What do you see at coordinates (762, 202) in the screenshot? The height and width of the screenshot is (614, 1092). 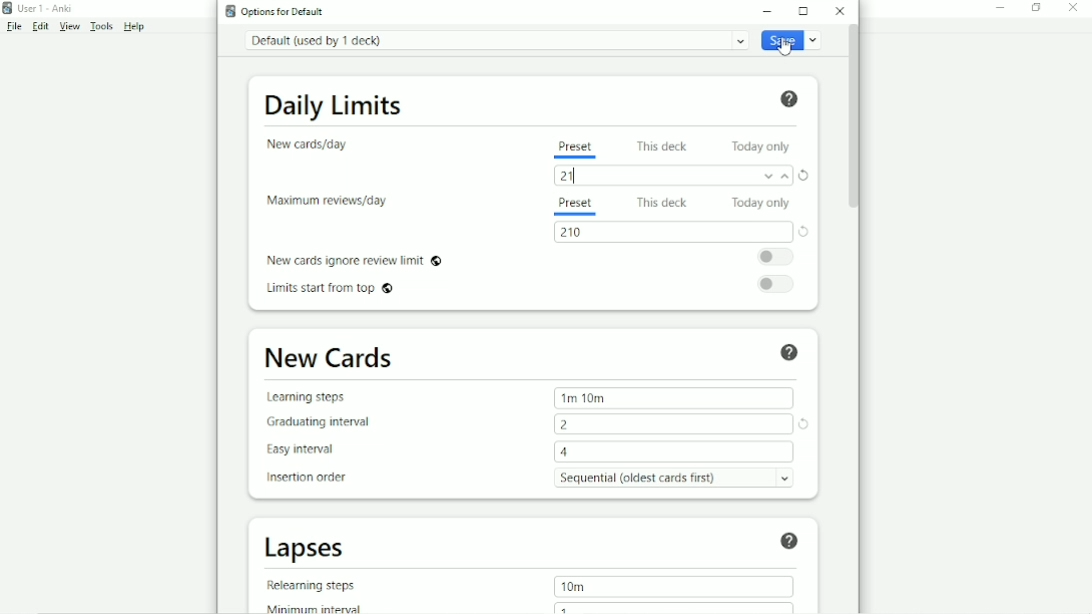 I see `Today only` at bounding box center [762, 202].